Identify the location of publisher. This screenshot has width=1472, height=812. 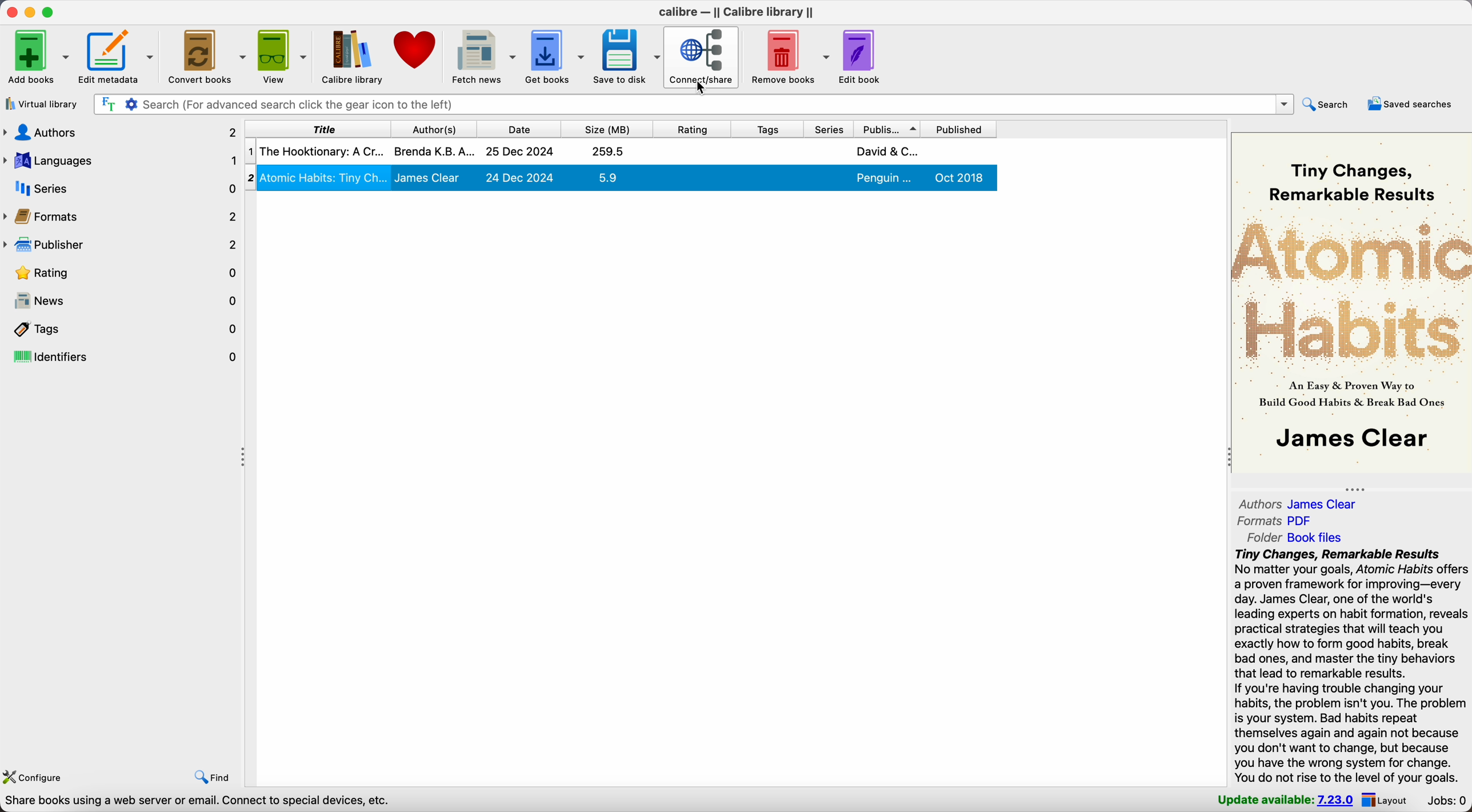
(890, 127).